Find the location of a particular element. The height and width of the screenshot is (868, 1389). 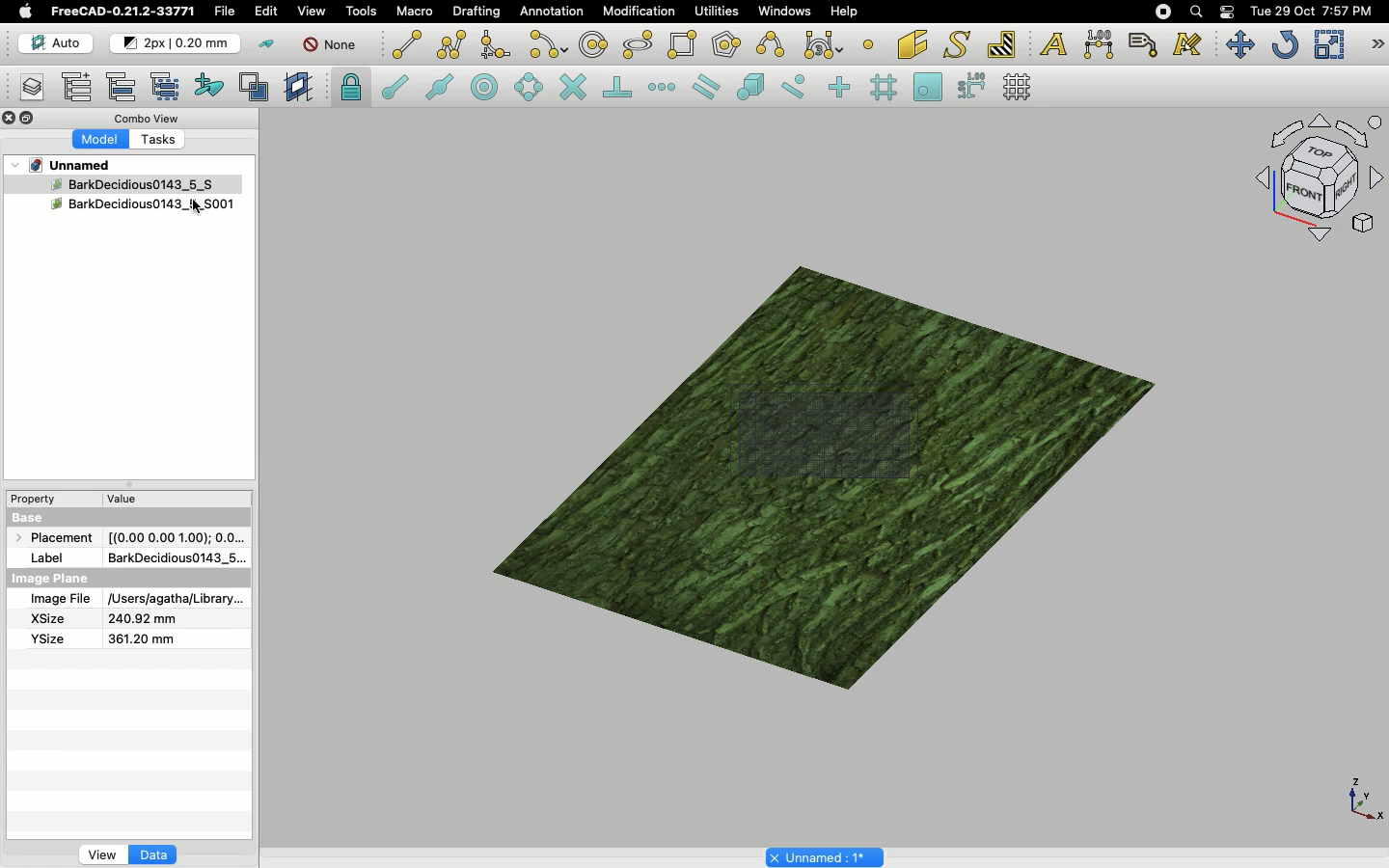

Annotation styles is located at coordinates (1188, 44).